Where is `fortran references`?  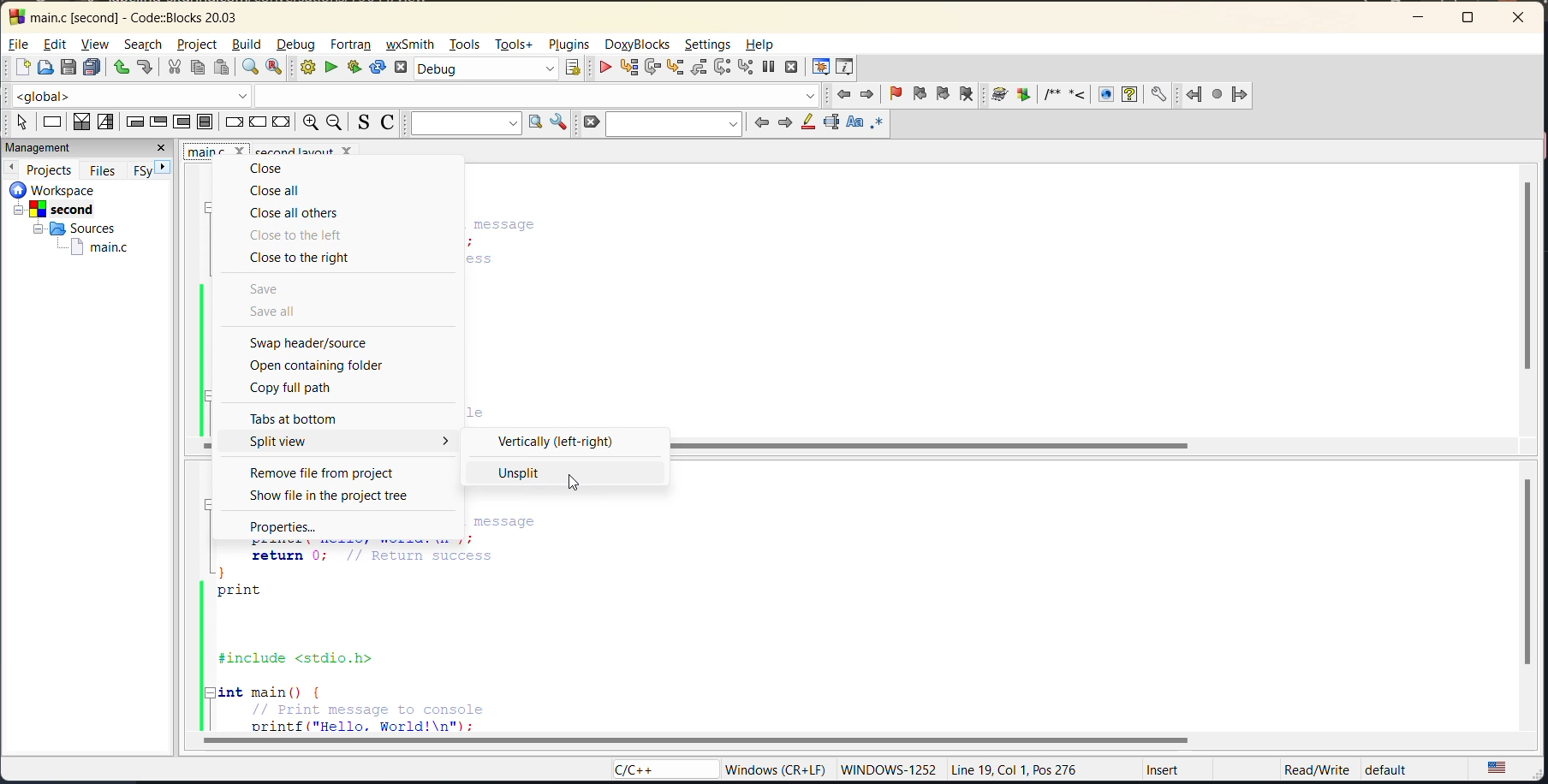
fortran references is located at coordinates (1218, 96).